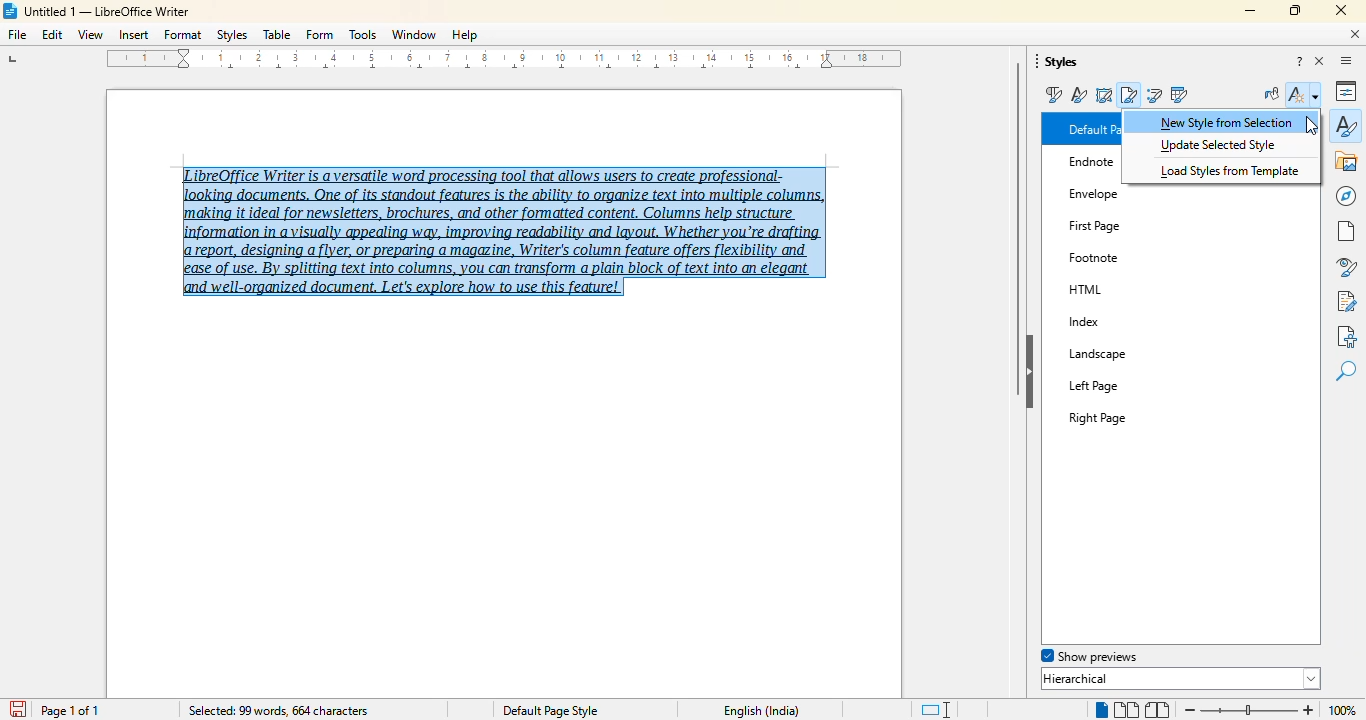 The height and width of the screenshot is (720, 1366). What do you see at coordinates (1155, 94) in the screenshot?
I see `list styles` at bounding box center [1155, 94].